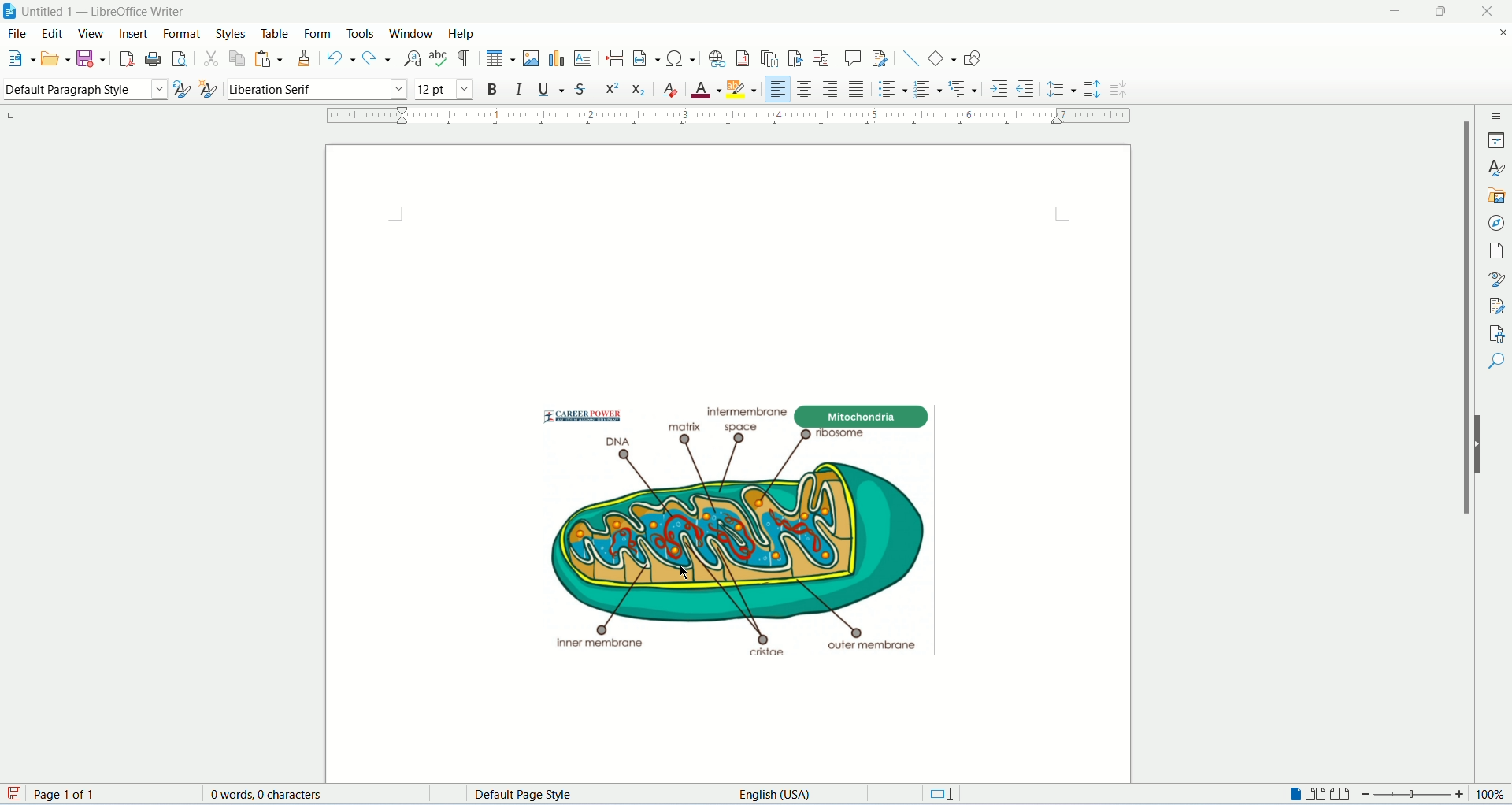 This screenshot has width=1512, height=805. Describe the element at coordinates (680, 57) in the screenshot. I see `insert symbol` at that location.